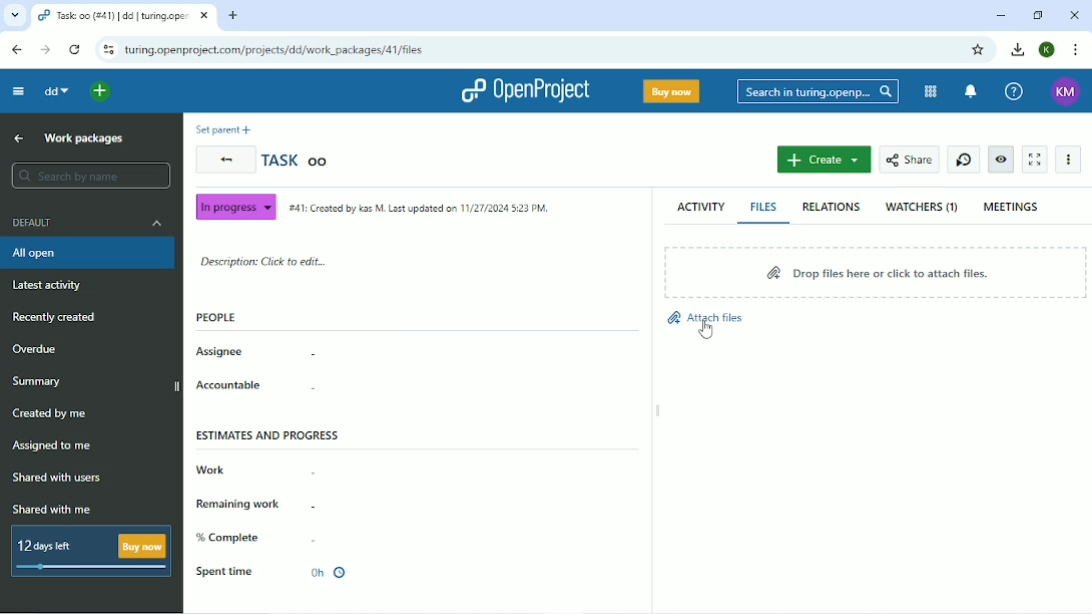 The width and height of the screenshot is (1092, 614). What do you see at coordinates (57, 93) in the screenshot?
I see `dd` at bounding box center [57, 93].